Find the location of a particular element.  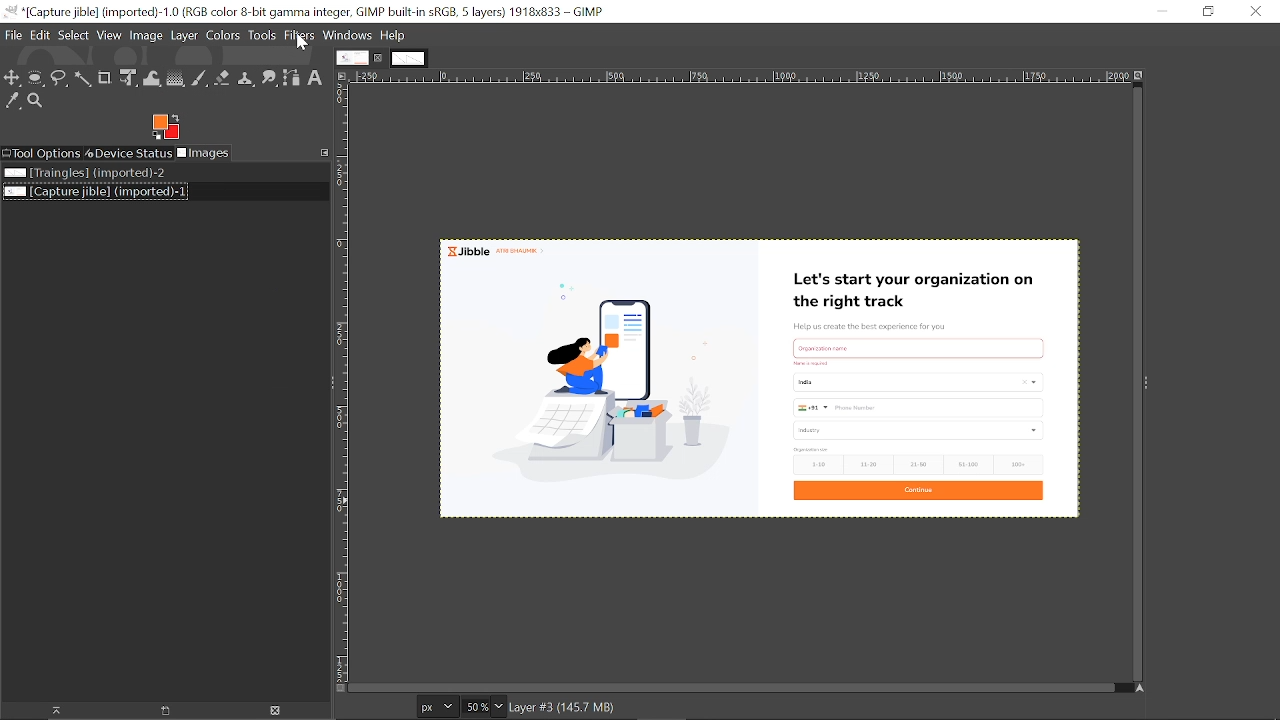

Toggle quick mask on/off is located at coordinates (339, 688).